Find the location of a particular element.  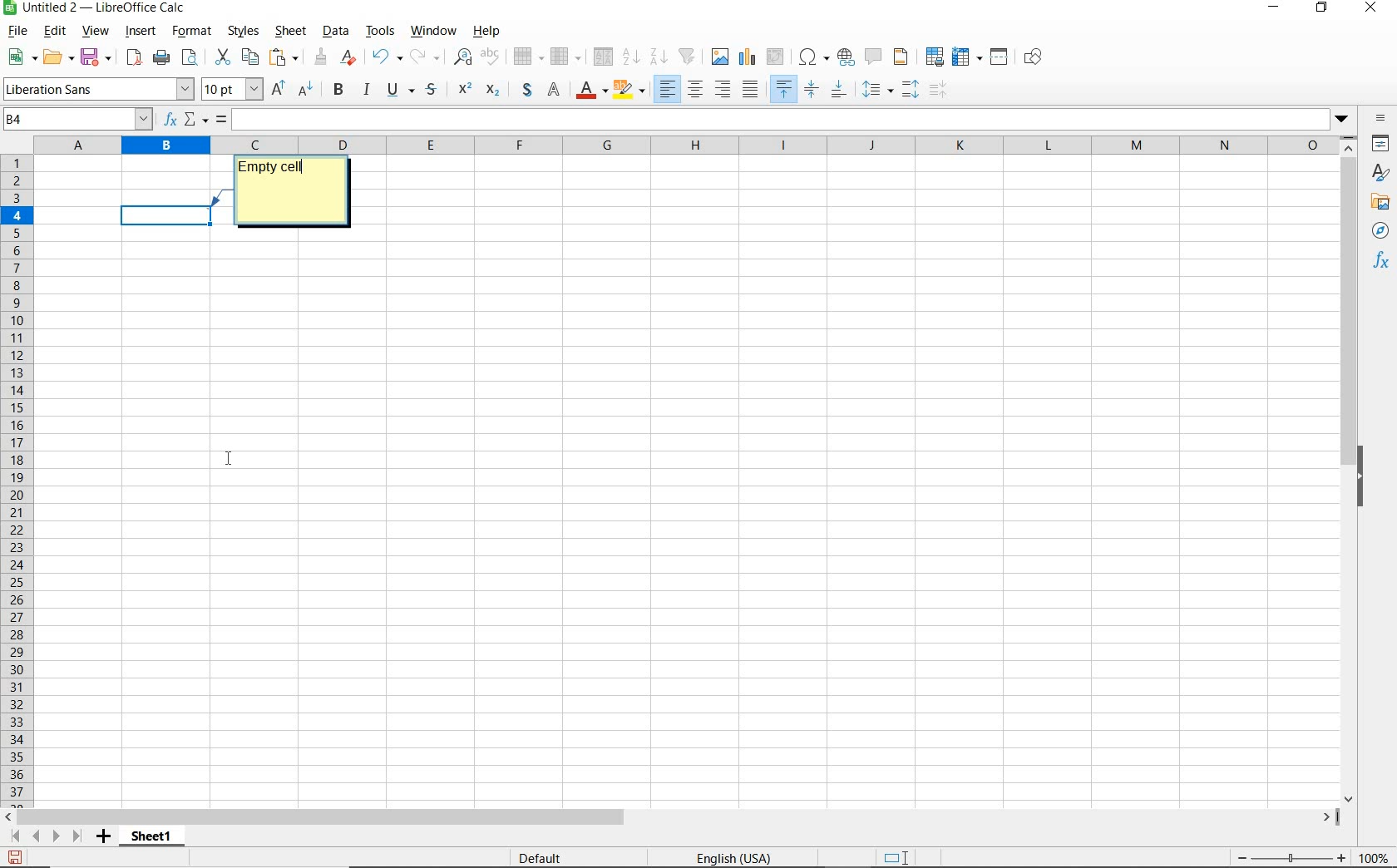

open is located at coordinates (57, 57).